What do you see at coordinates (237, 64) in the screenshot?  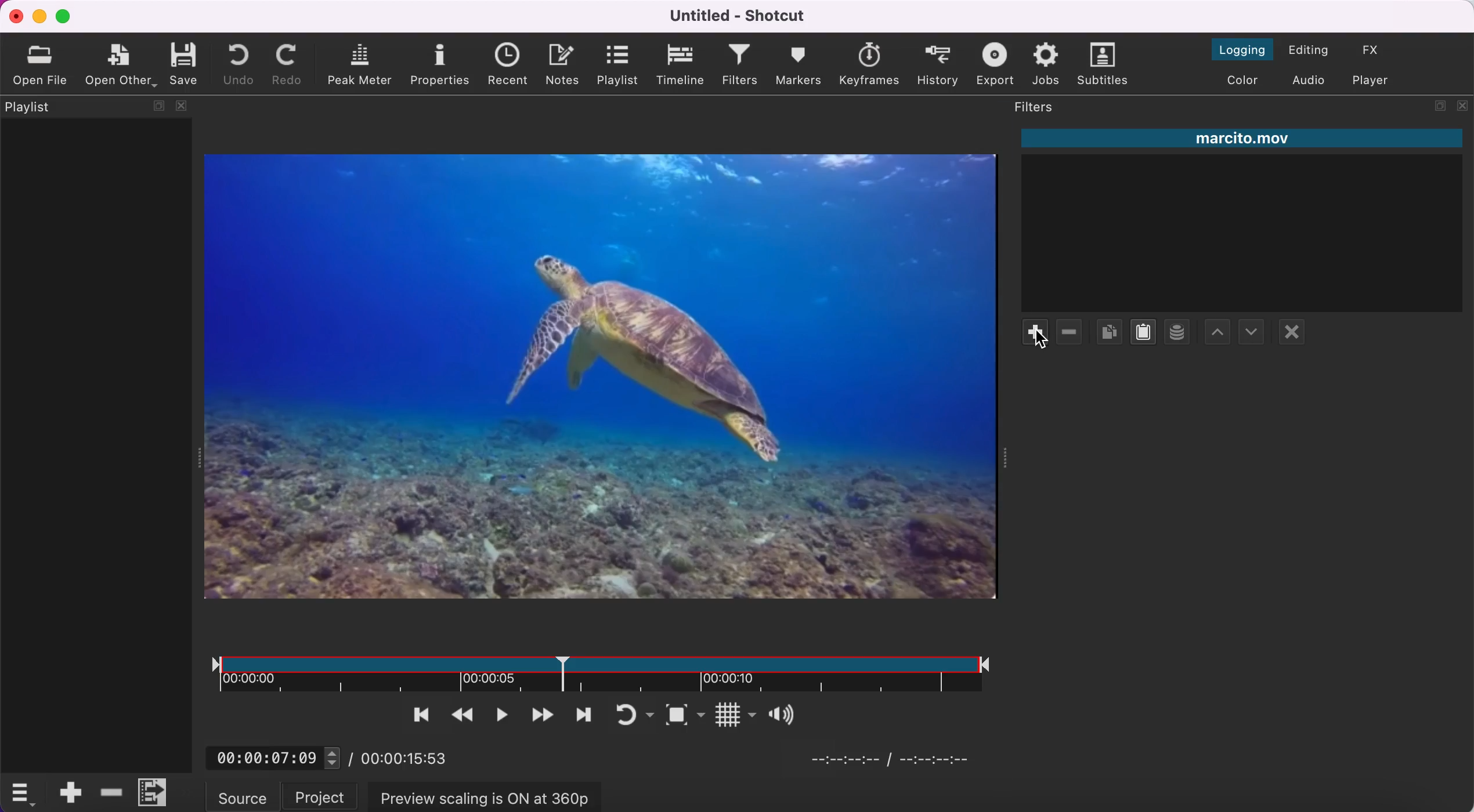 I see `undo` at bounding box center [237, 64].